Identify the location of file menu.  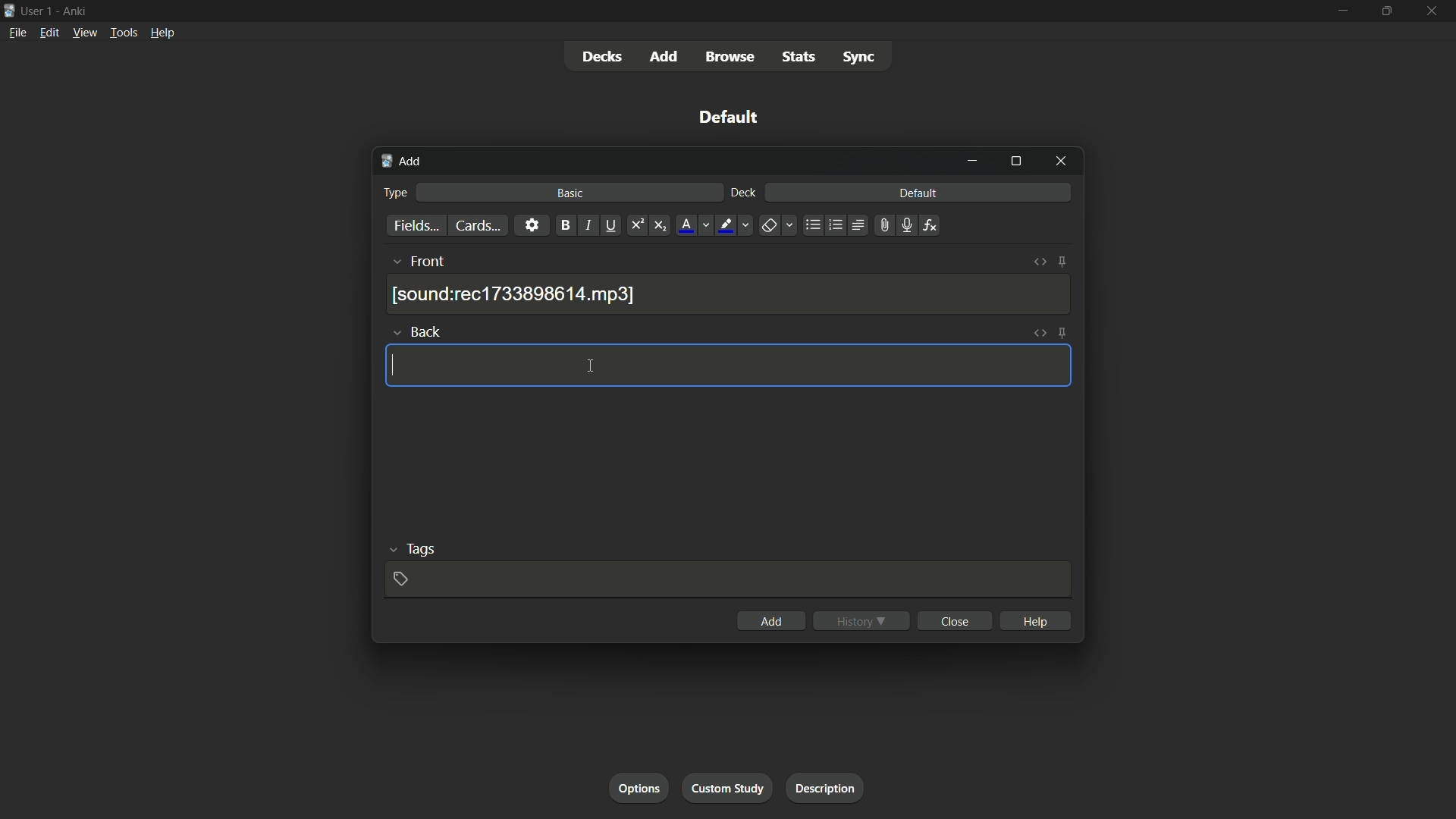
(18, 32).